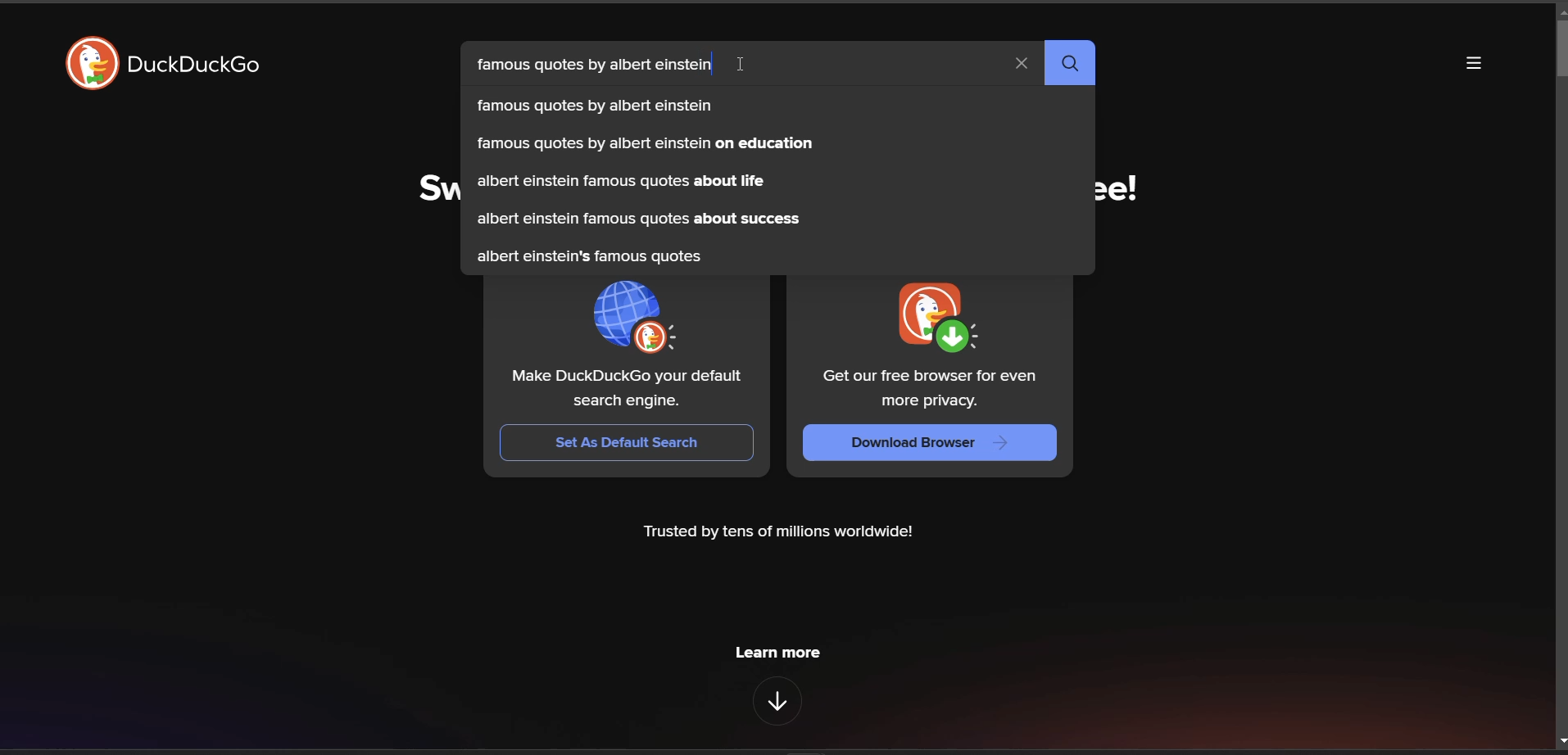 The width and height of the screenshot is (1568, 755). Describe the element at coordinates (628, 442) in the screenshot. I see `set as Default Search` at that location.